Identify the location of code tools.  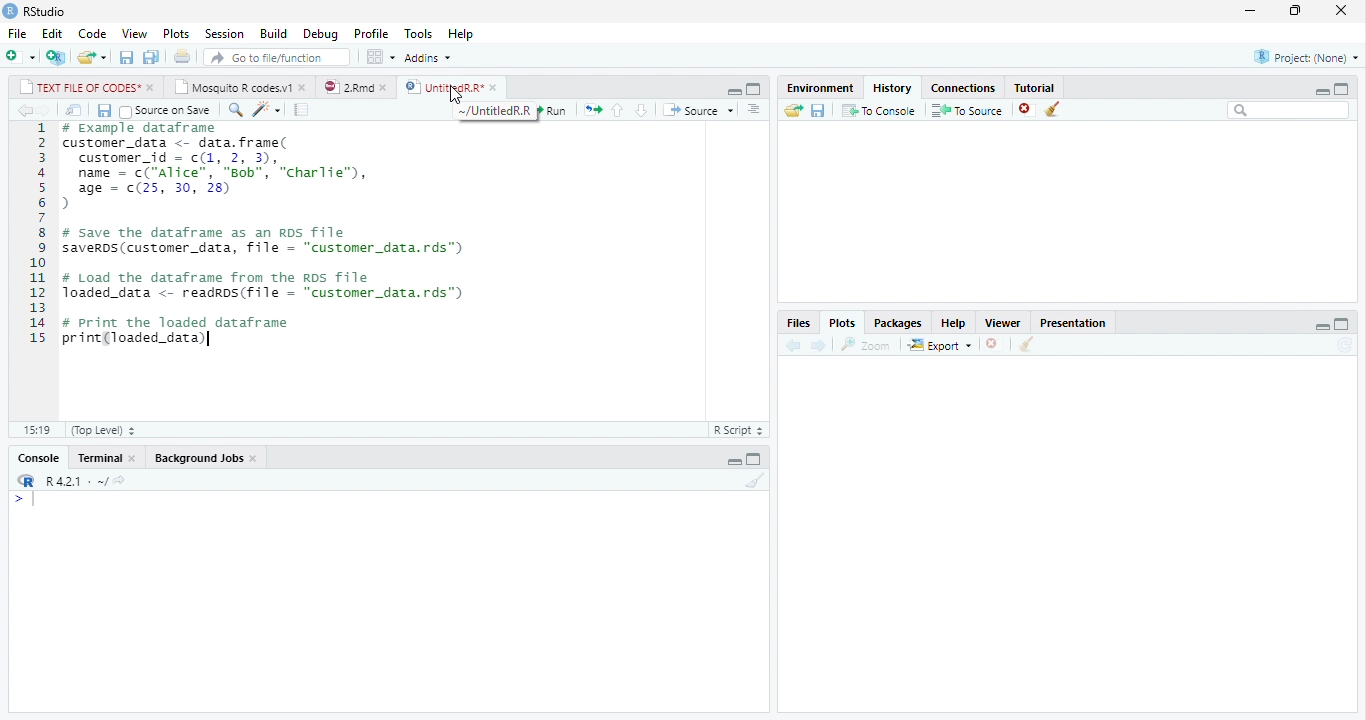
(267, 110).